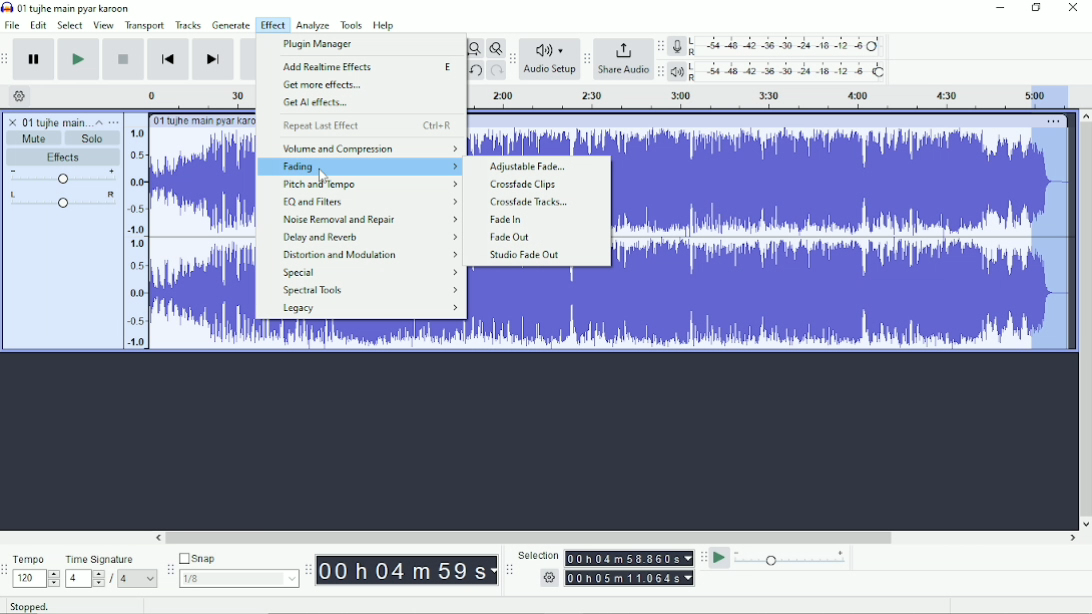 The image size is (1092, 614). Describe the element at coordinates (512, 237) in the screenshot. I see `Fade Out` at that location.